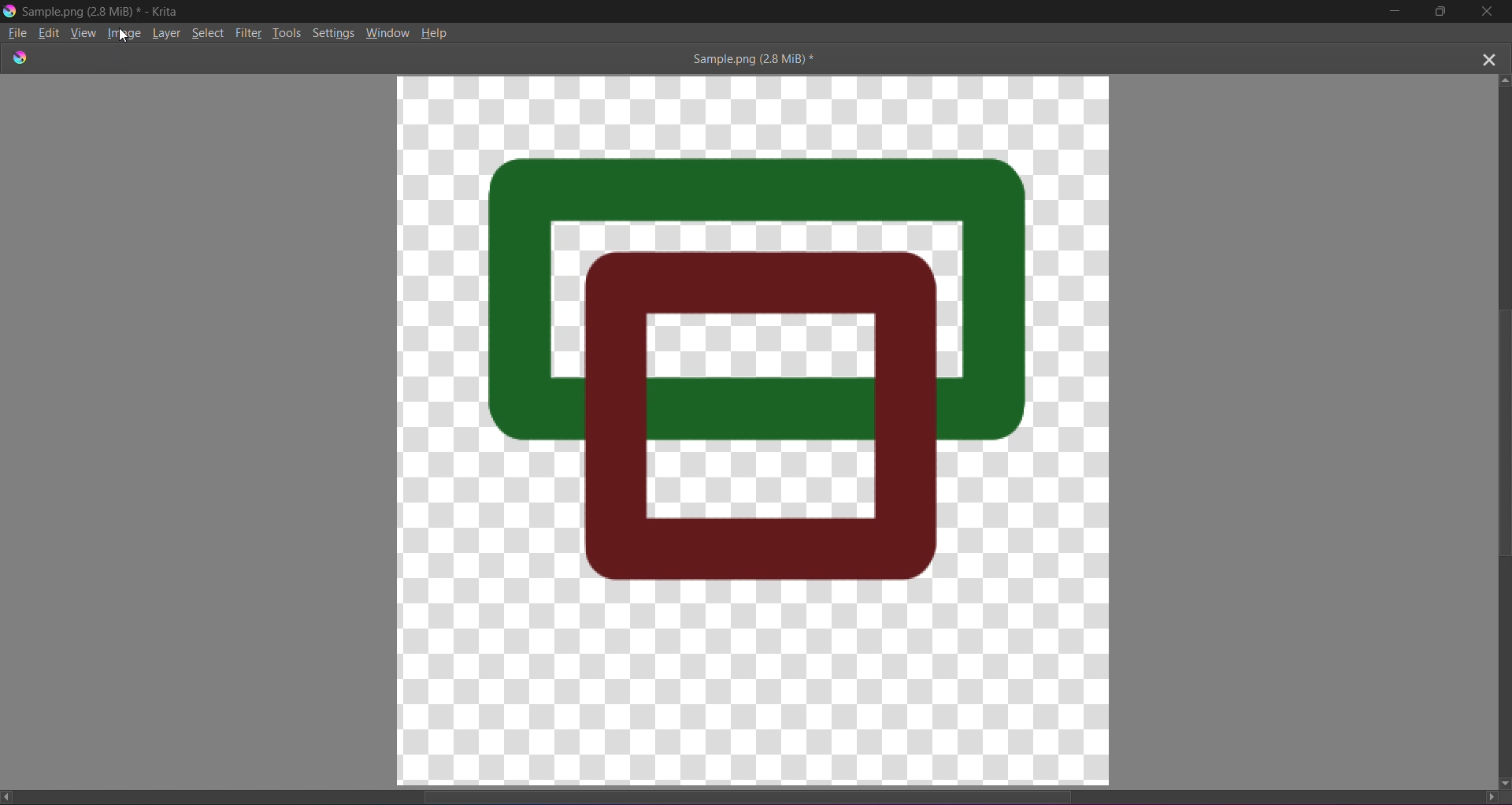 The height and width of the screenshot is (805, 1512). I want to click on Scroll right, so click(1485, 796).